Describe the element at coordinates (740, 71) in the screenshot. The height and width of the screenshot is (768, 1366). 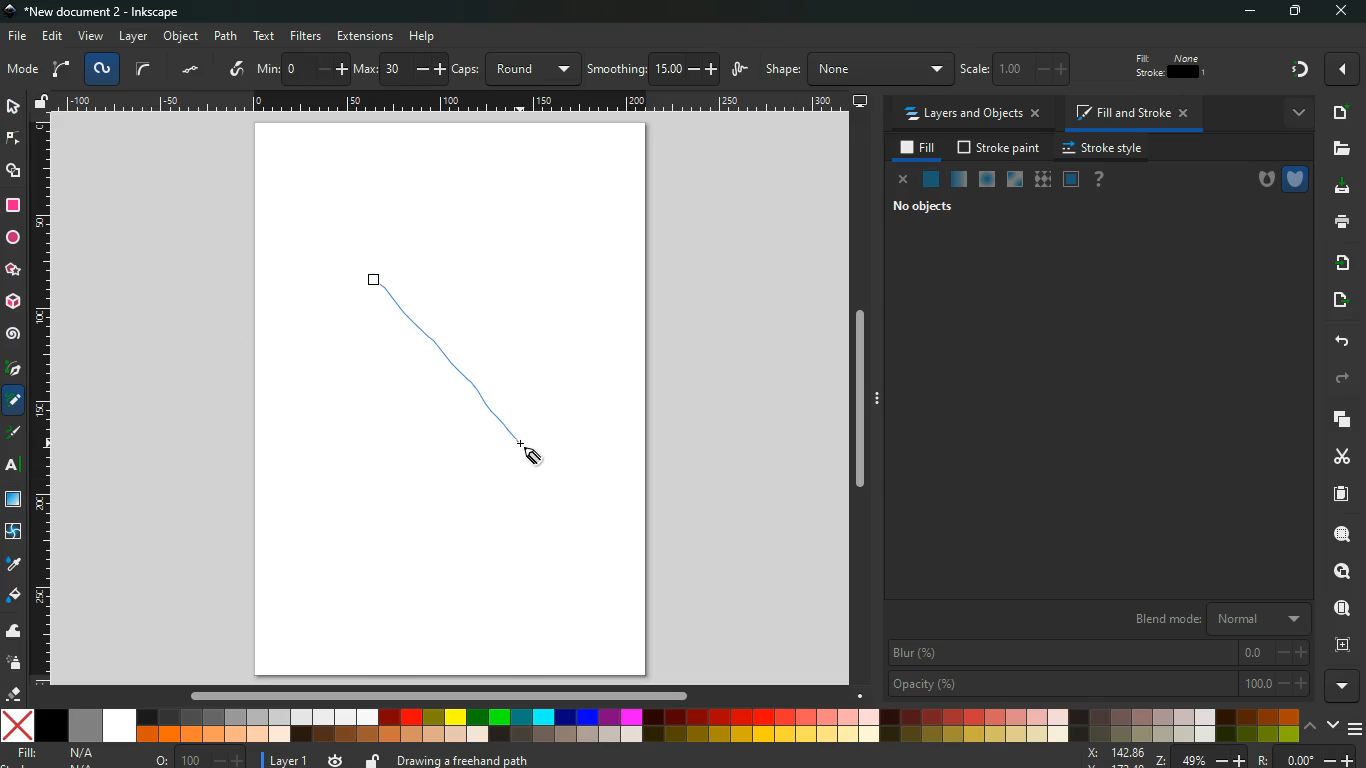
I see `wiggle` at that location.